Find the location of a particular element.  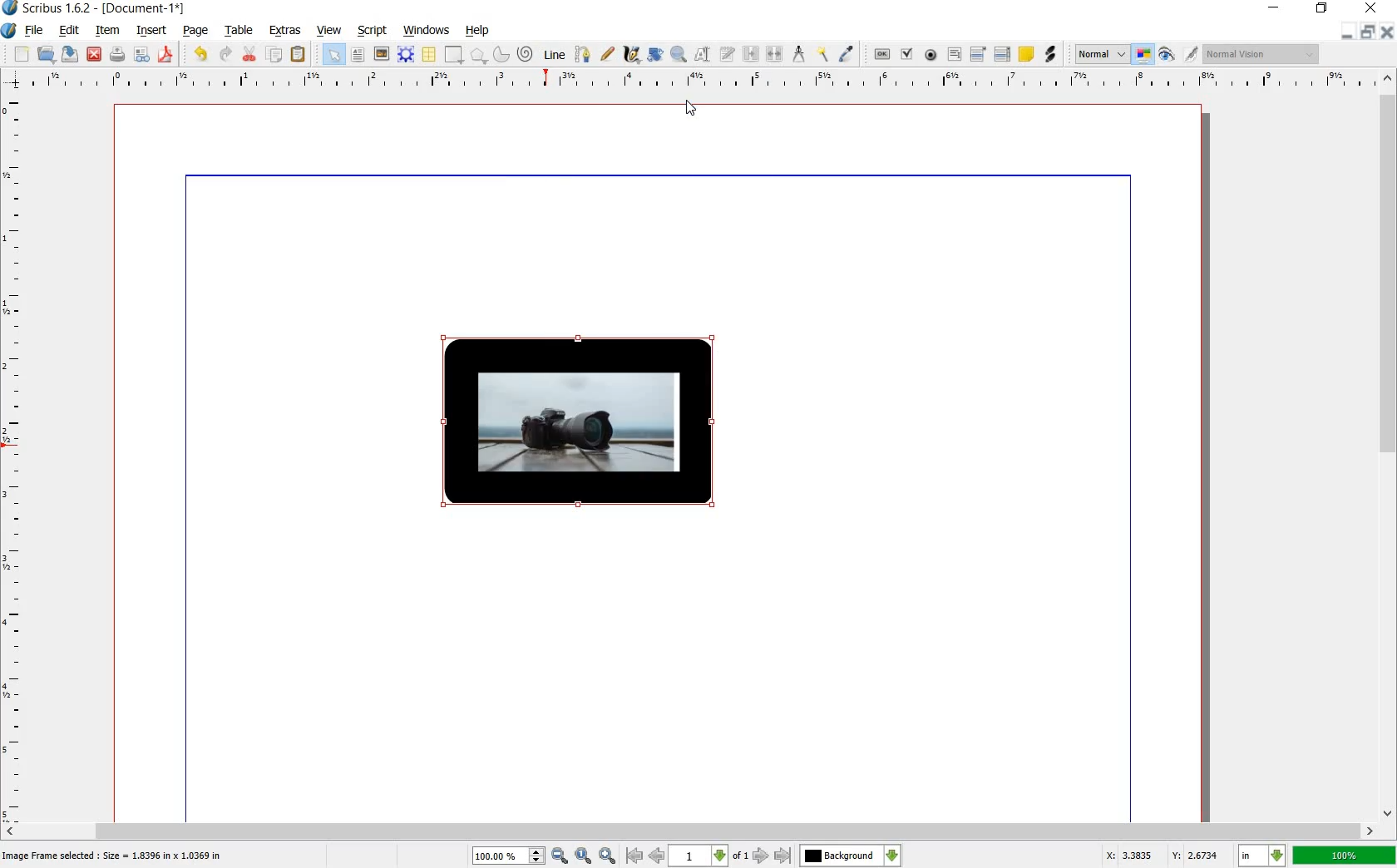

insert is located at coordinates (152, 32).